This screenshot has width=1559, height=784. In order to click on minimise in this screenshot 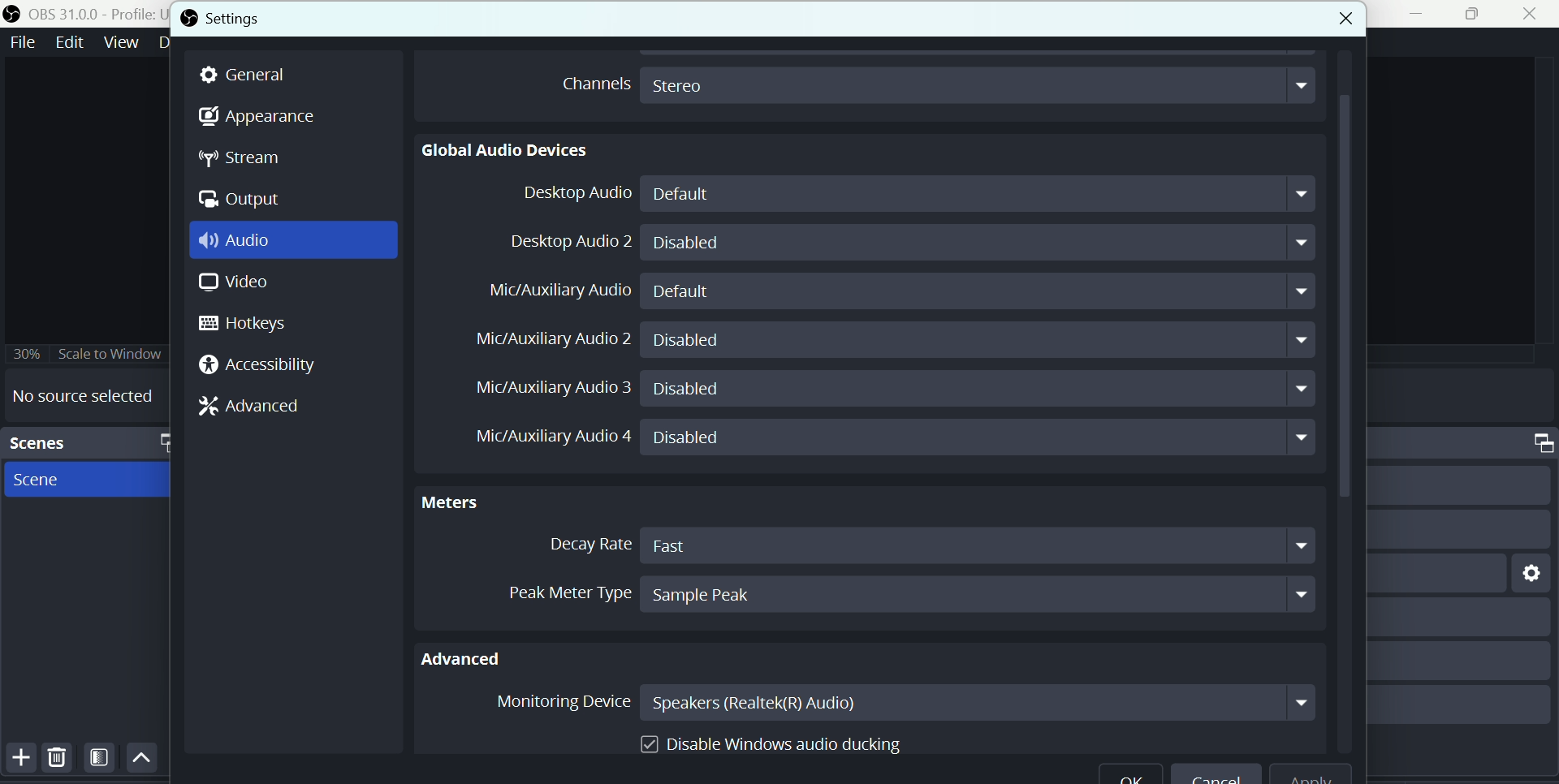, I will do `click(1420, 14)`.